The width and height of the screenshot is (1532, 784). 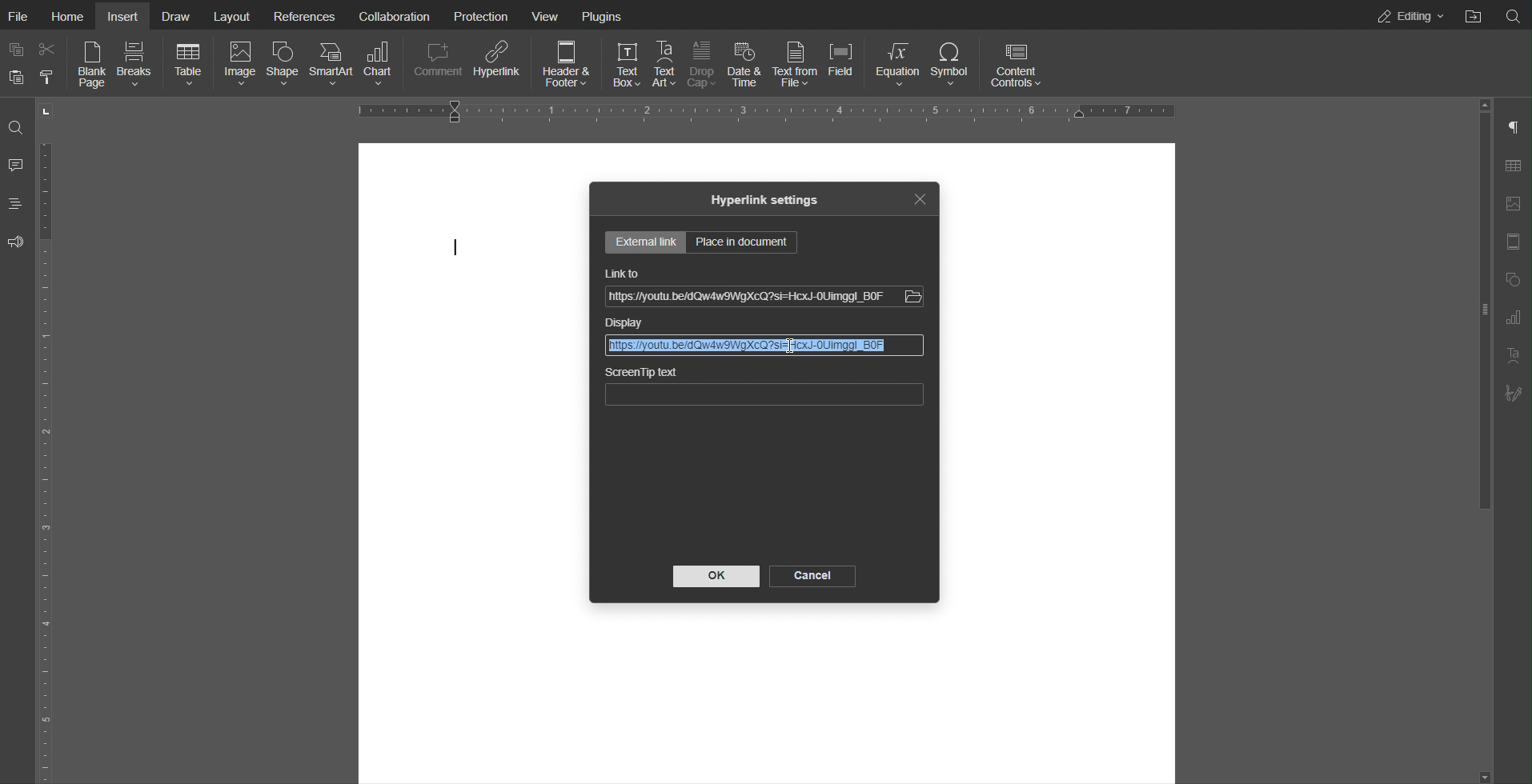 What do you see at coordinates (332, 65) in the screenshot?
I see `SmartArt` at bounding box center [332, 65].